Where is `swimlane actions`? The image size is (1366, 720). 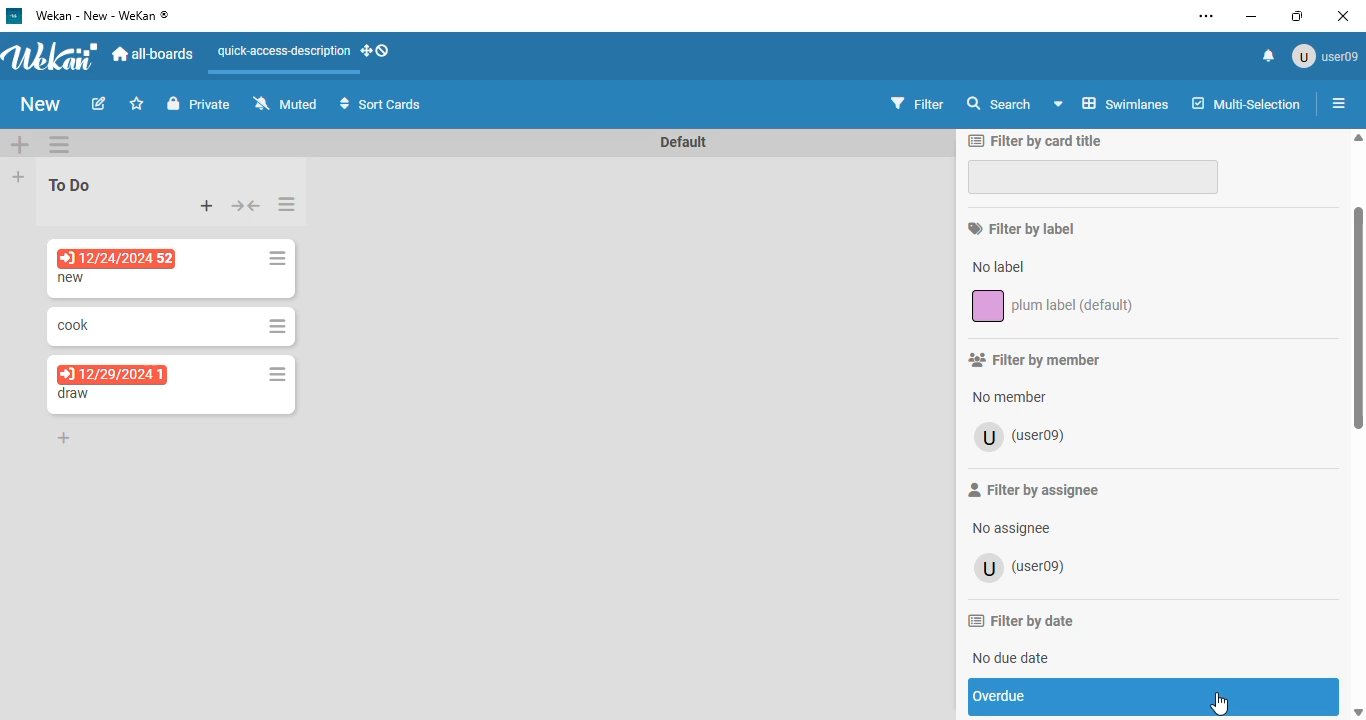 swimlane actions is located at coordinates (58, 144).